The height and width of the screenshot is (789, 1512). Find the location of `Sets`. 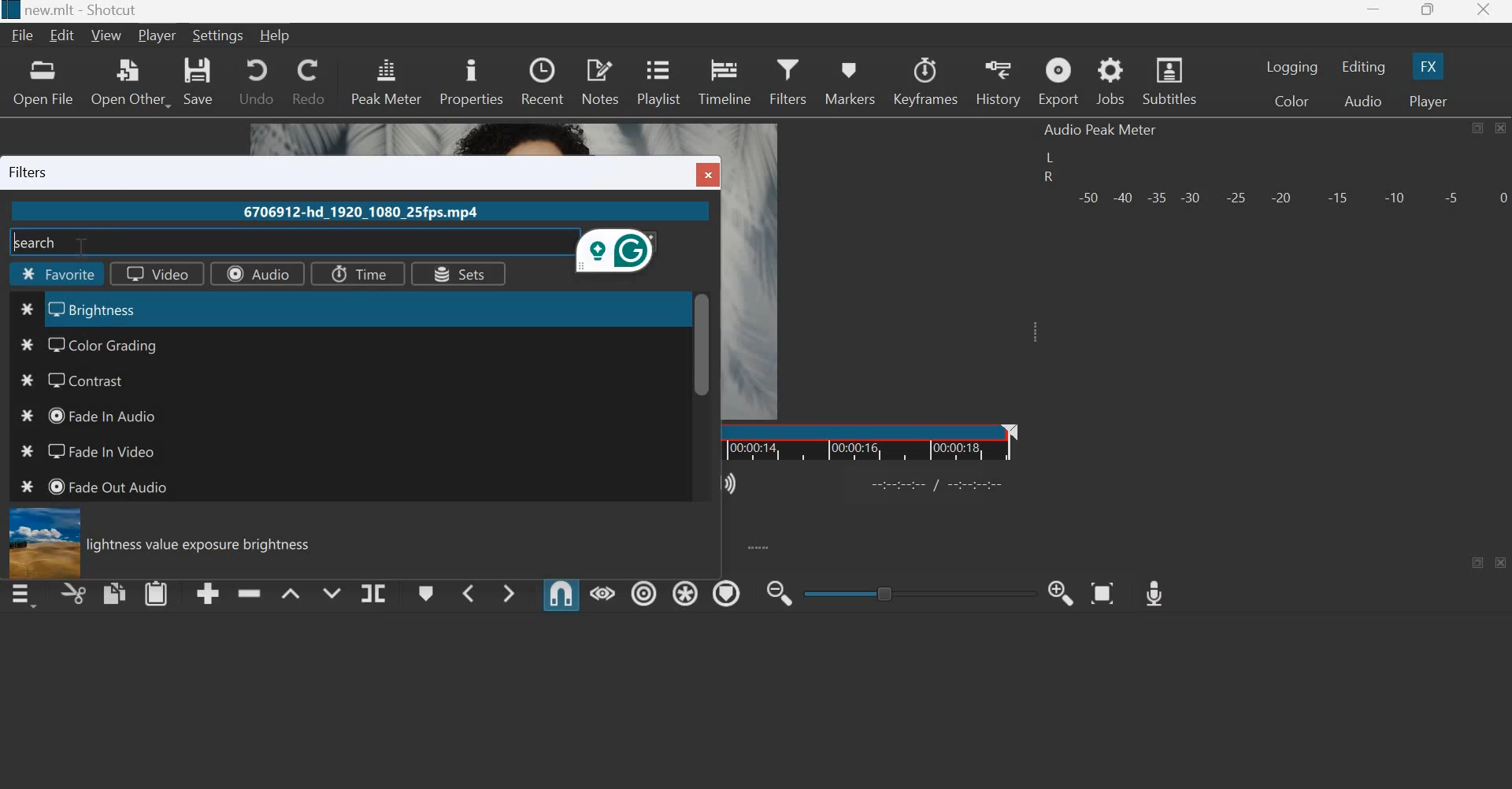

Sets is located at coordinates (457, 275).